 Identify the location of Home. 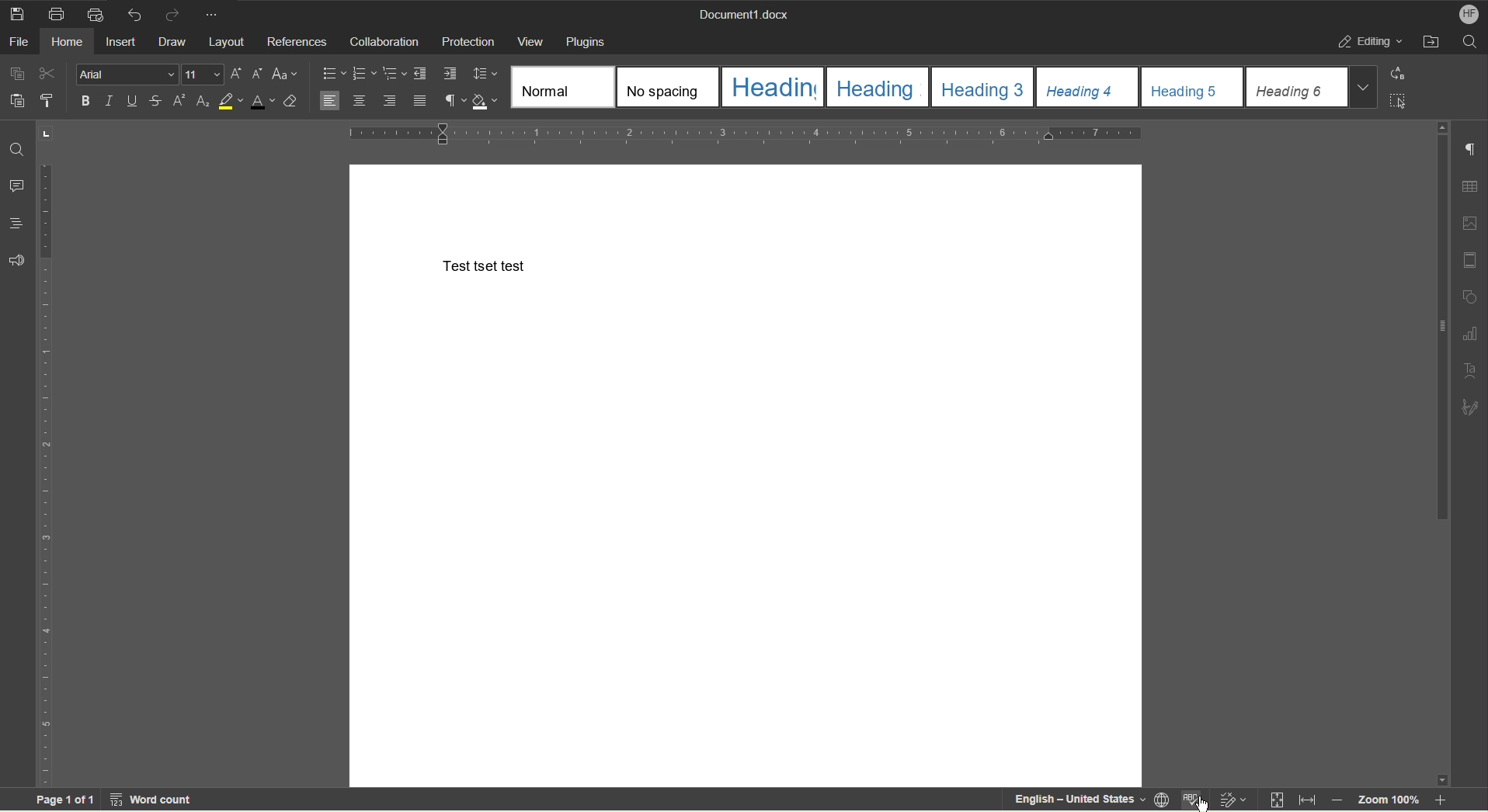
(70, 41).